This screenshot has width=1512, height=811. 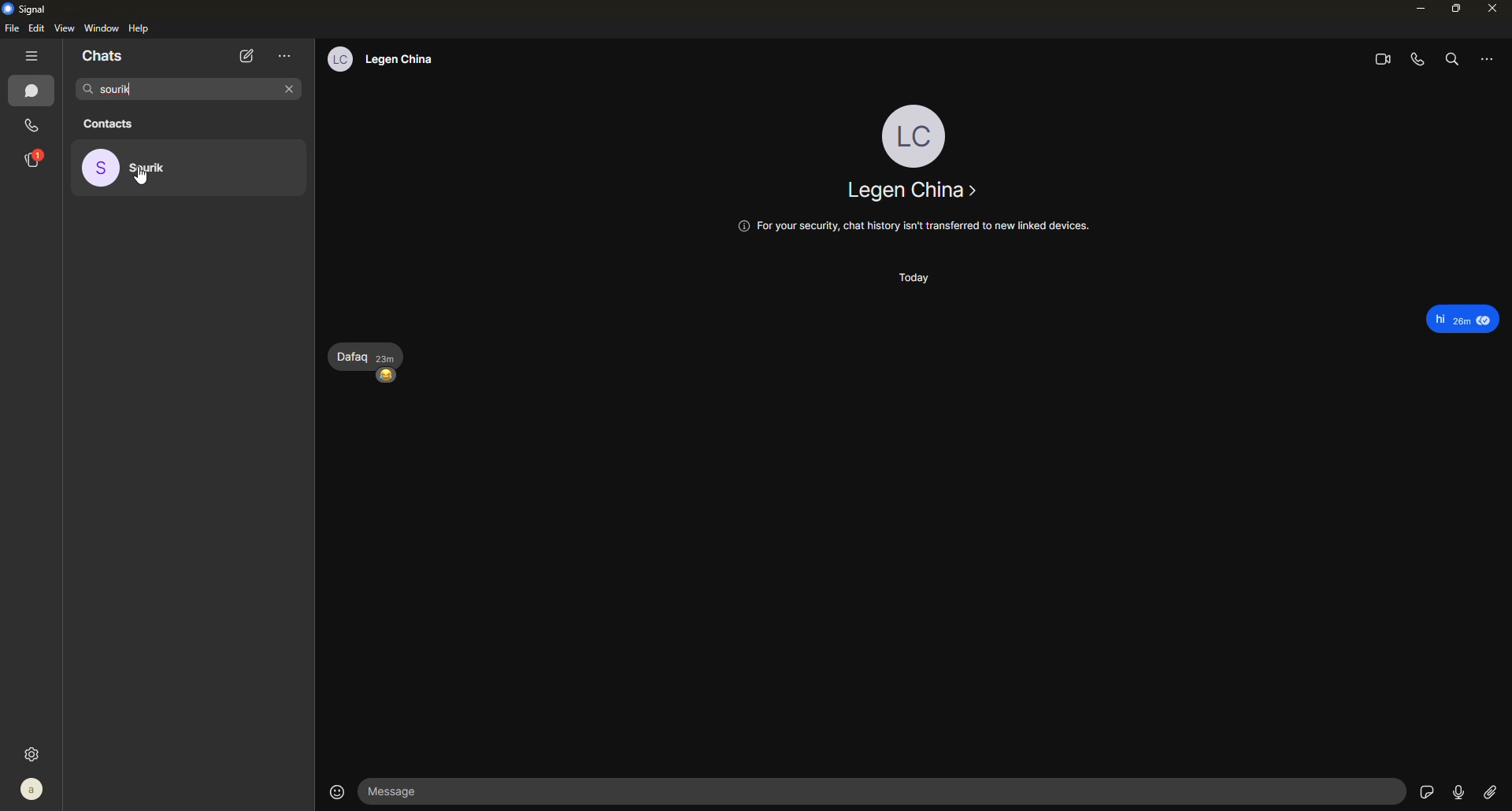 I want to click on chat, so click(x=35, y=94).